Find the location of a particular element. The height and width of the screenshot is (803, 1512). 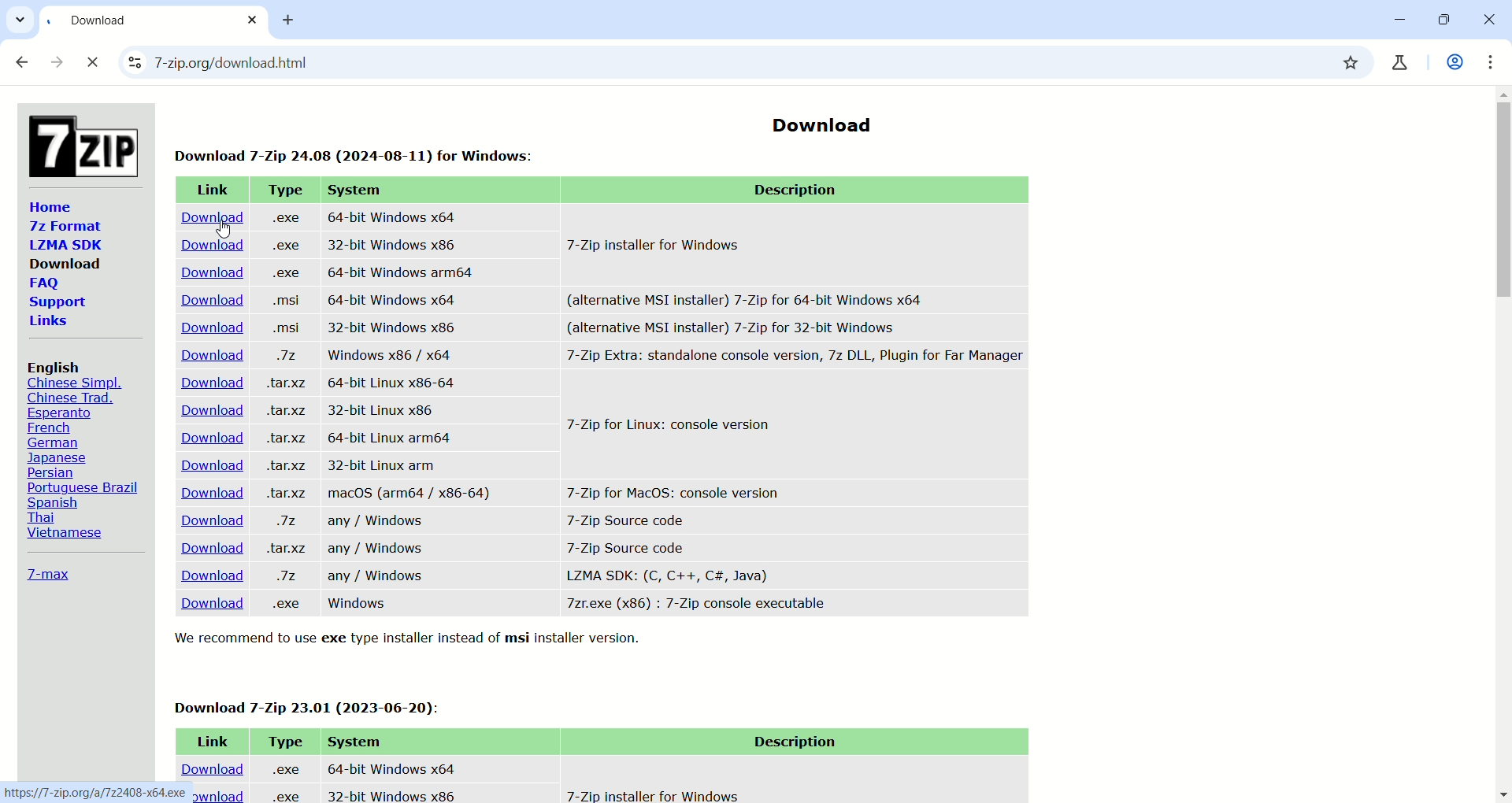

System is located at coordinates (354, 741).